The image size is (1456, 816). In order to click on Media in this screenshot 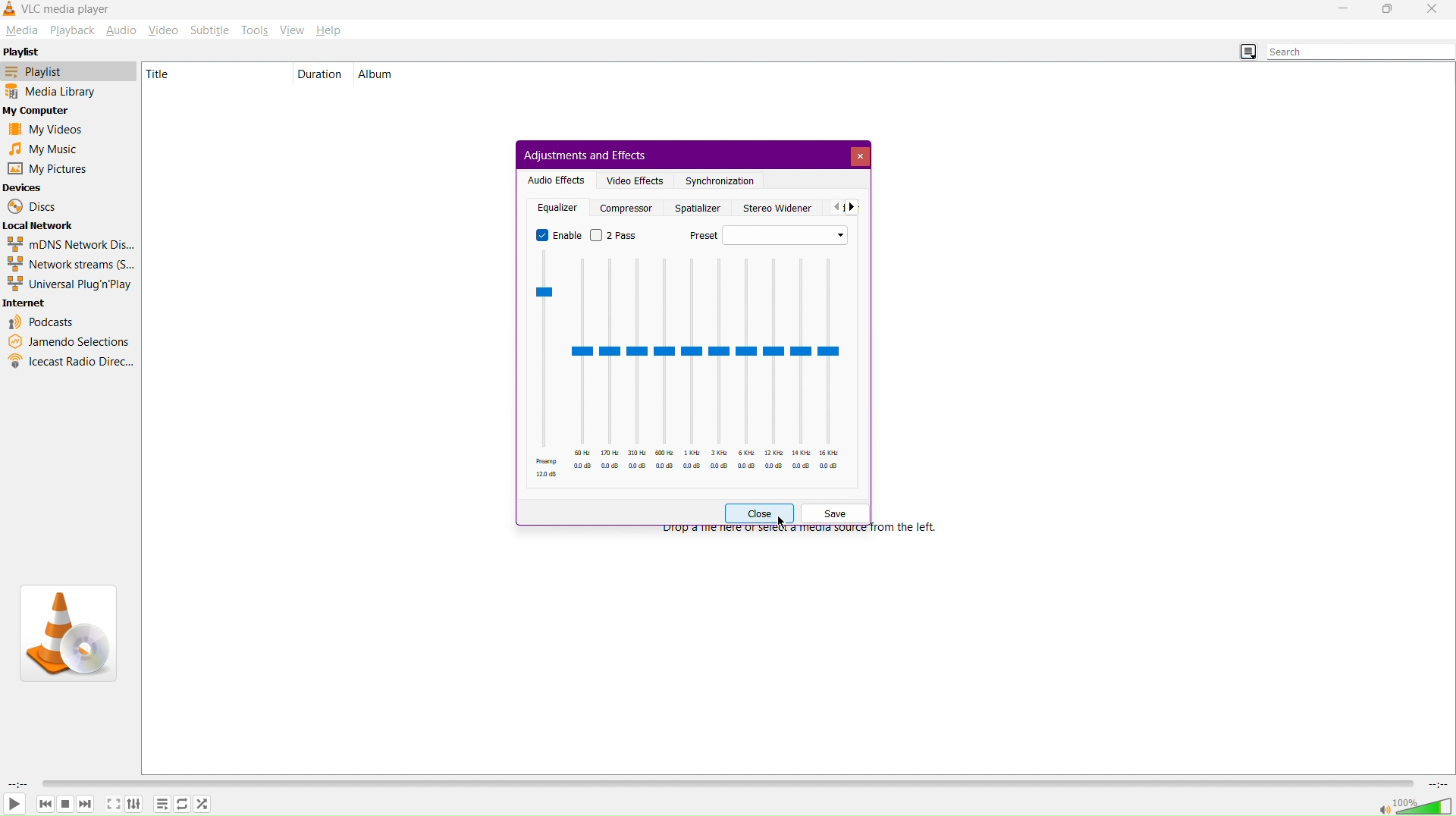, I will do `click(22, 31)`.